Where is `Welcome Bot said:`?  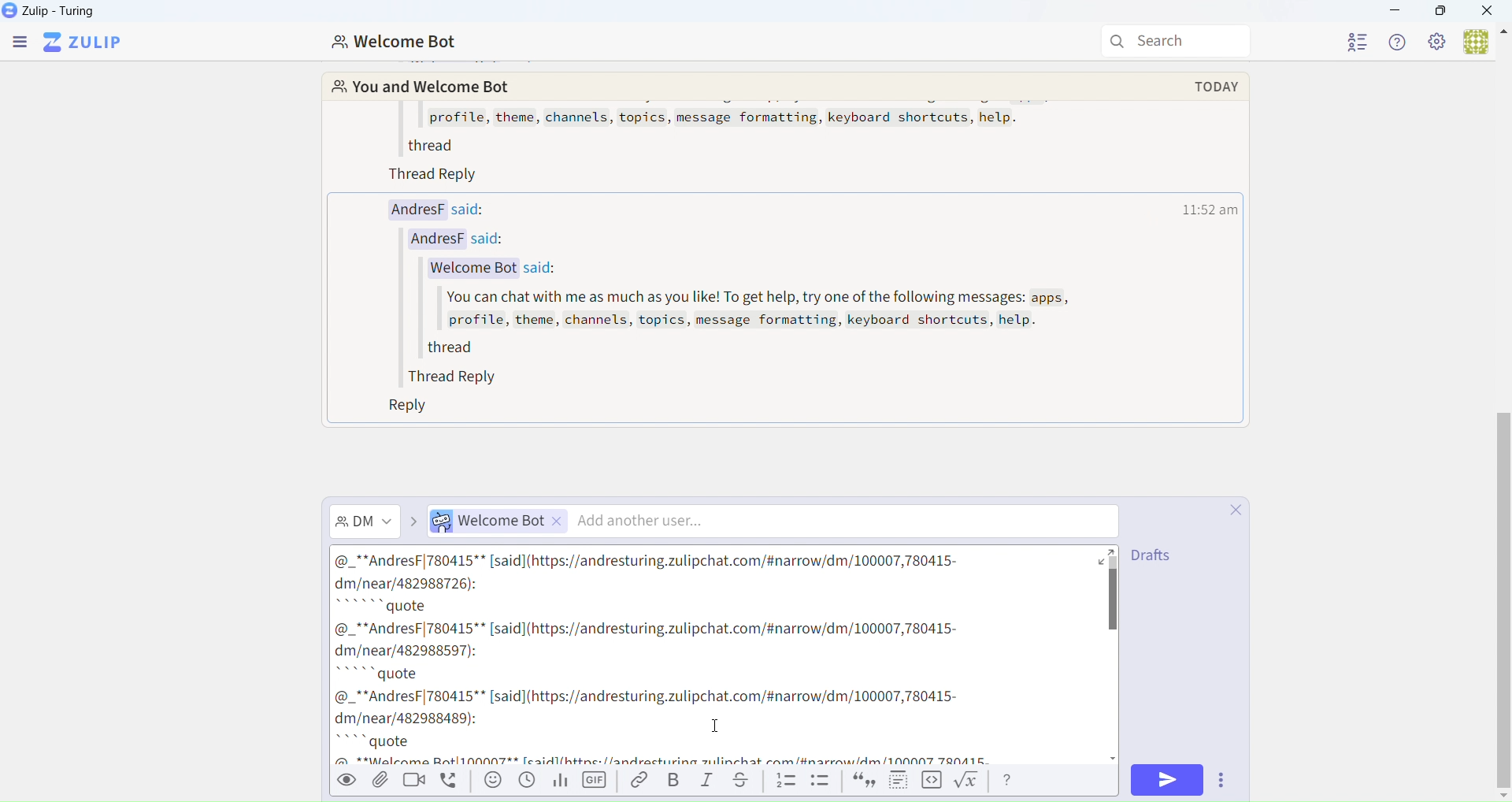
Welcome Bot said: is located at coordinates (489, 269).